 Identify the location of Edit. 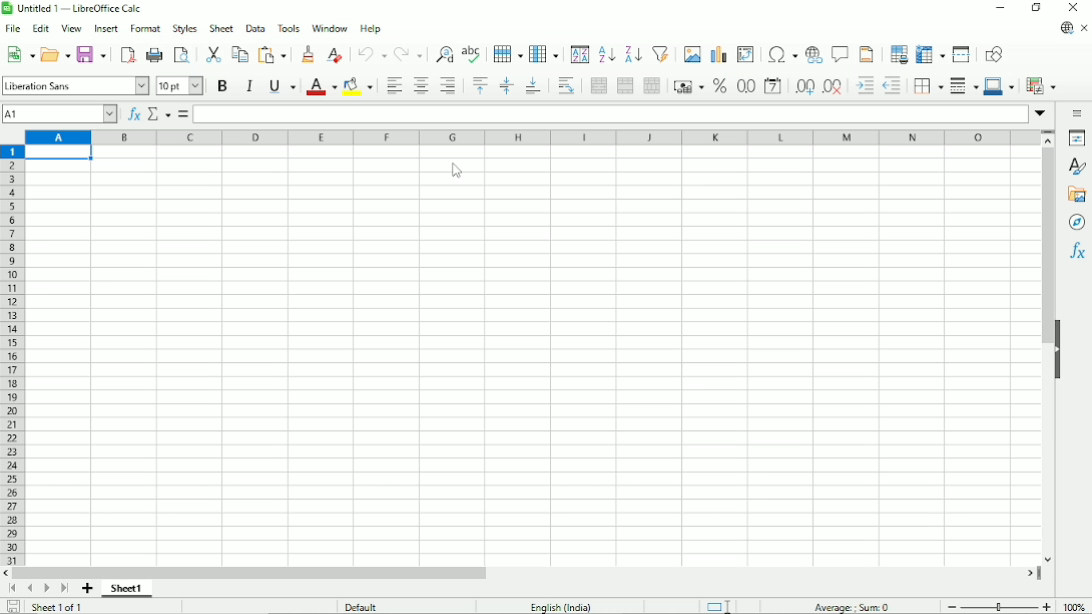
(42, 28).